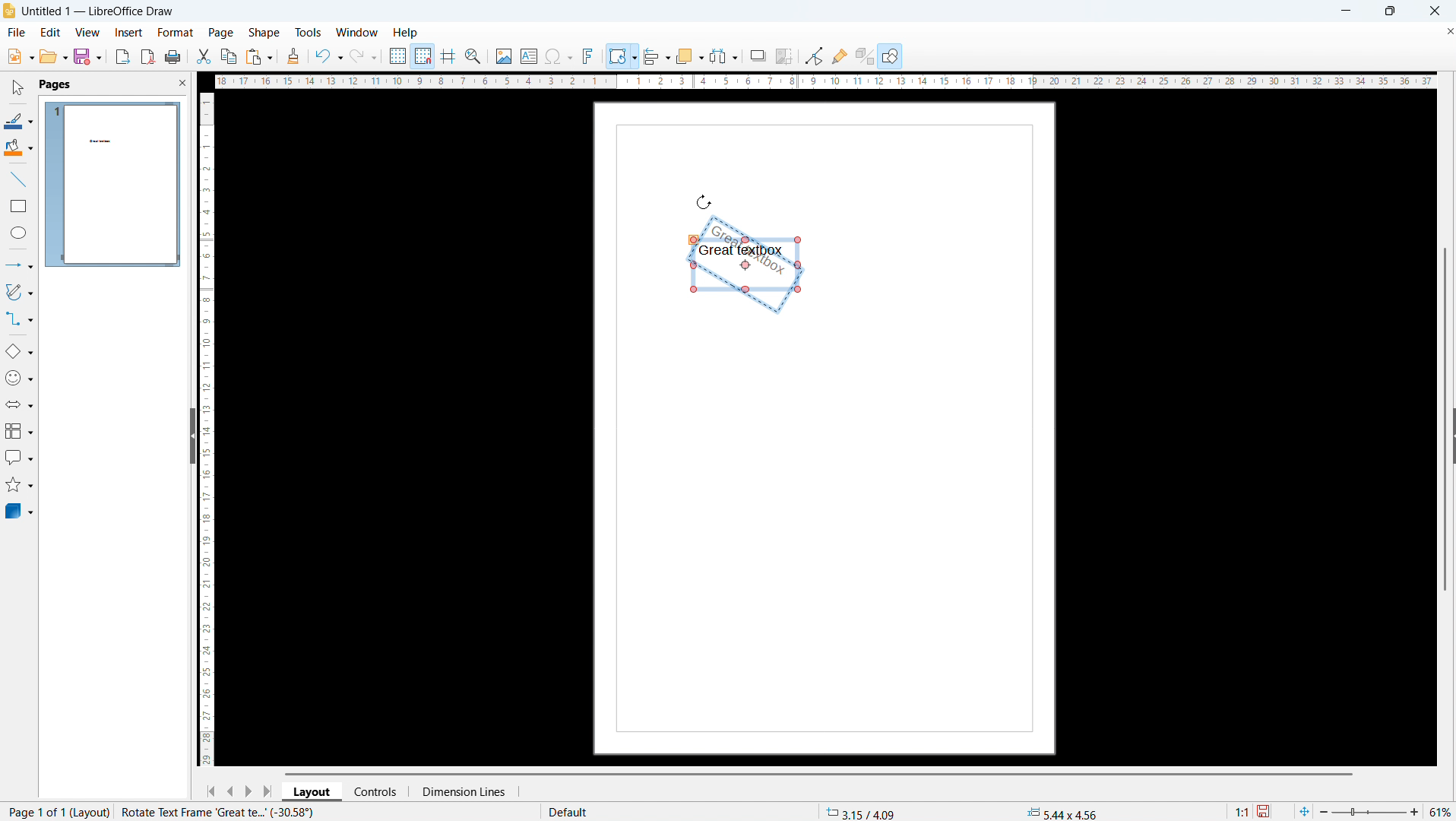 This screenshot has height=821, width=1456. I want to click on open, so click(52, 57).